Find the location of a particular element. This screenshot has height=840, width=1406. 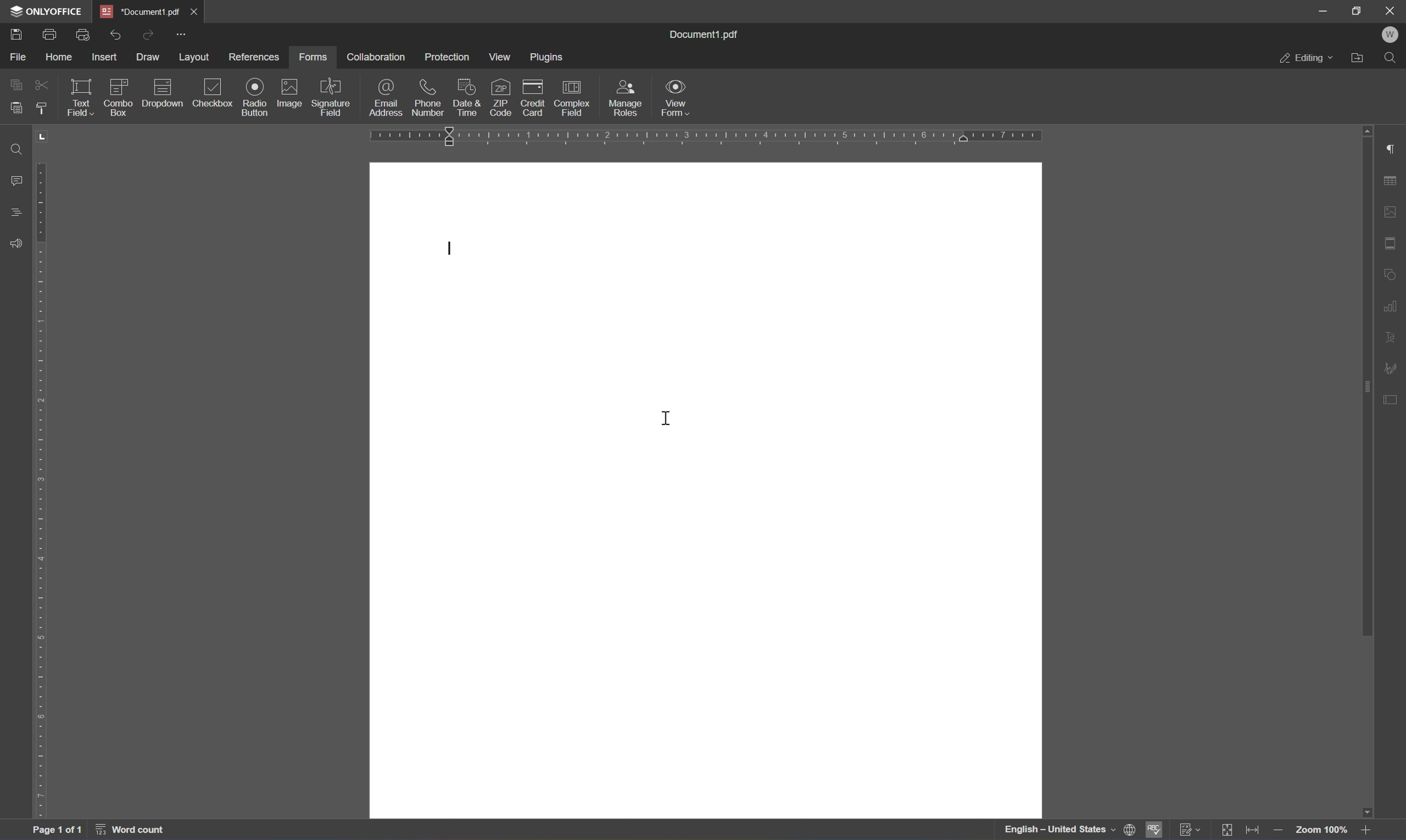

text field is located at coordinates (78, 96).